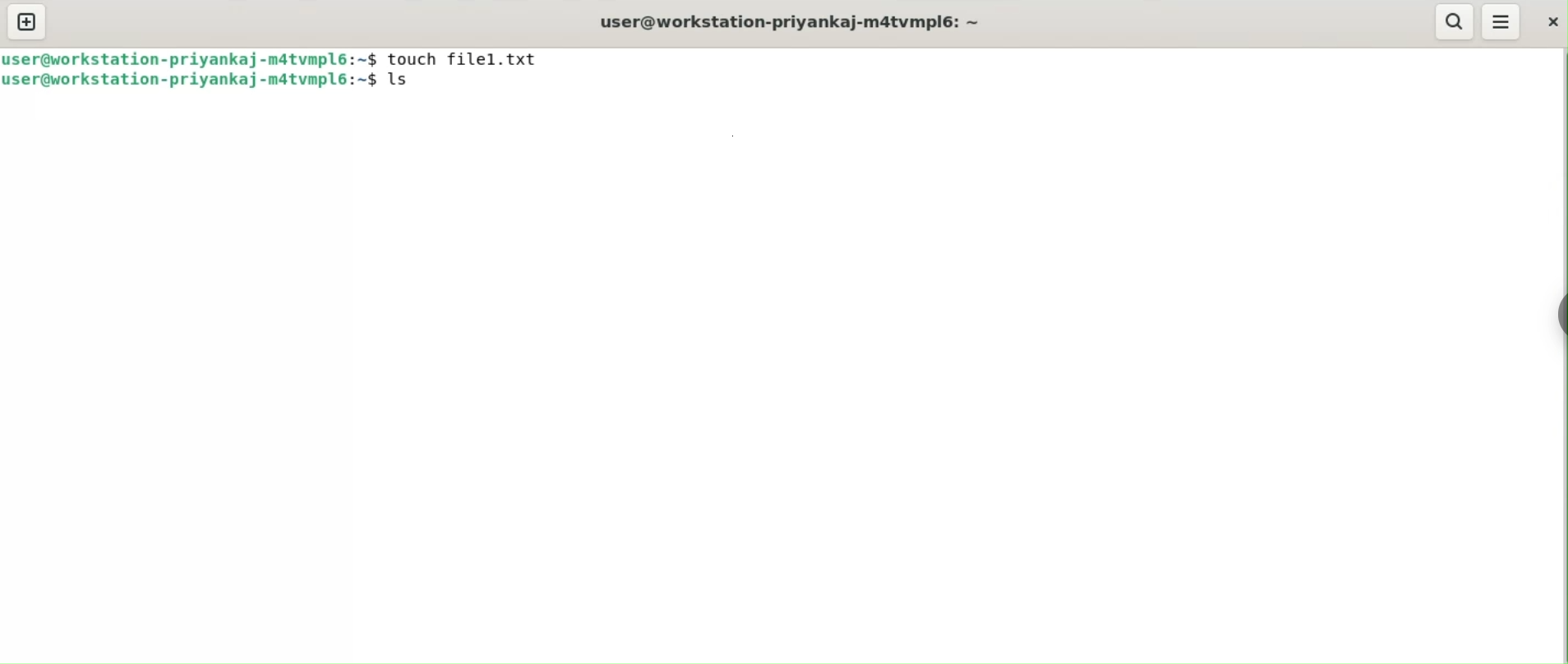 This screenshot has width=1568, height=664. I want to click on search, so click(1456, 22).